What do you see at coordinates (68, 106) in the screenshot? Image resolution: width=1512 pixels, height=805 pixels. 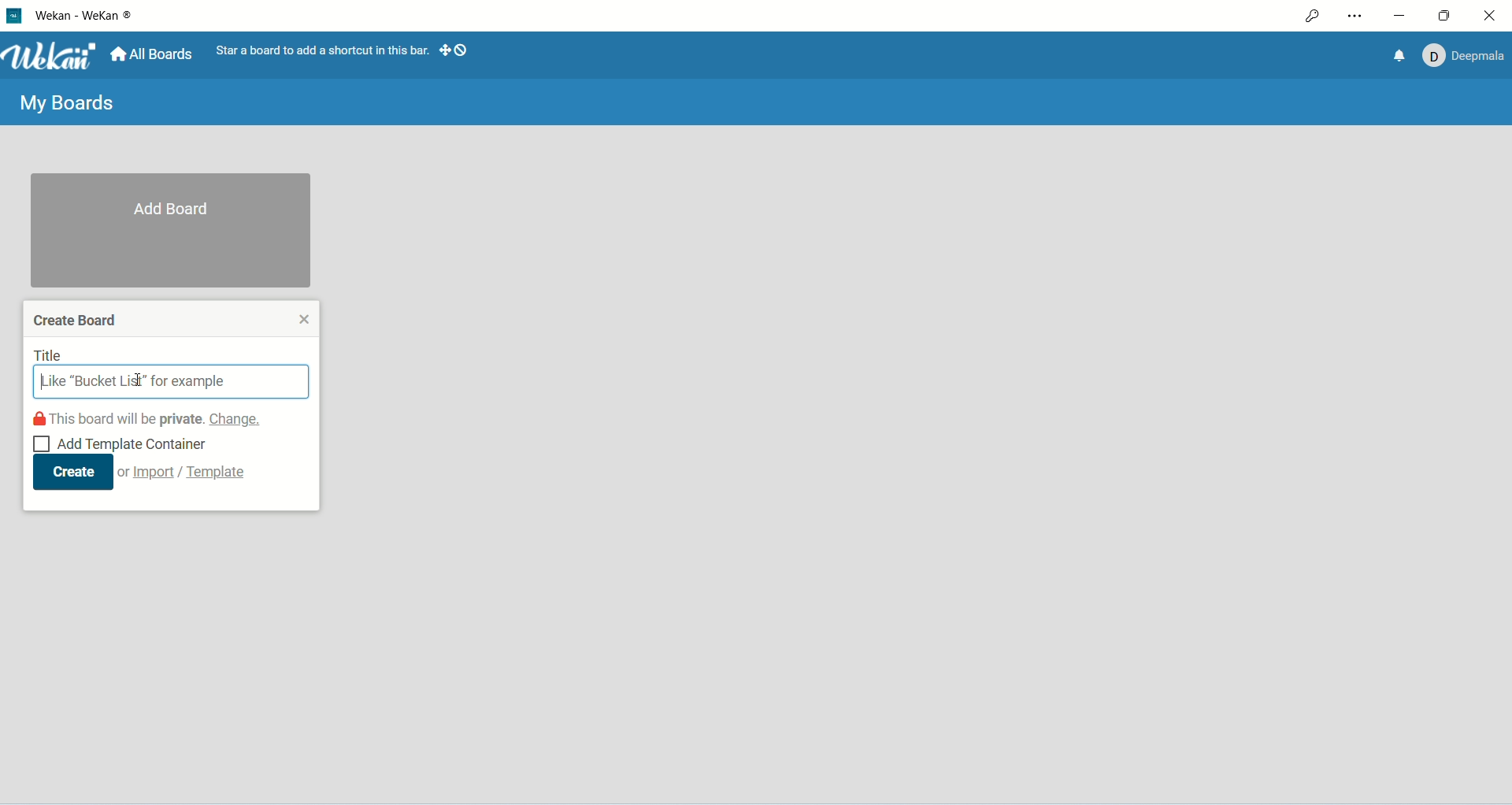 I see `My boards` at bounding box center [68, 106].